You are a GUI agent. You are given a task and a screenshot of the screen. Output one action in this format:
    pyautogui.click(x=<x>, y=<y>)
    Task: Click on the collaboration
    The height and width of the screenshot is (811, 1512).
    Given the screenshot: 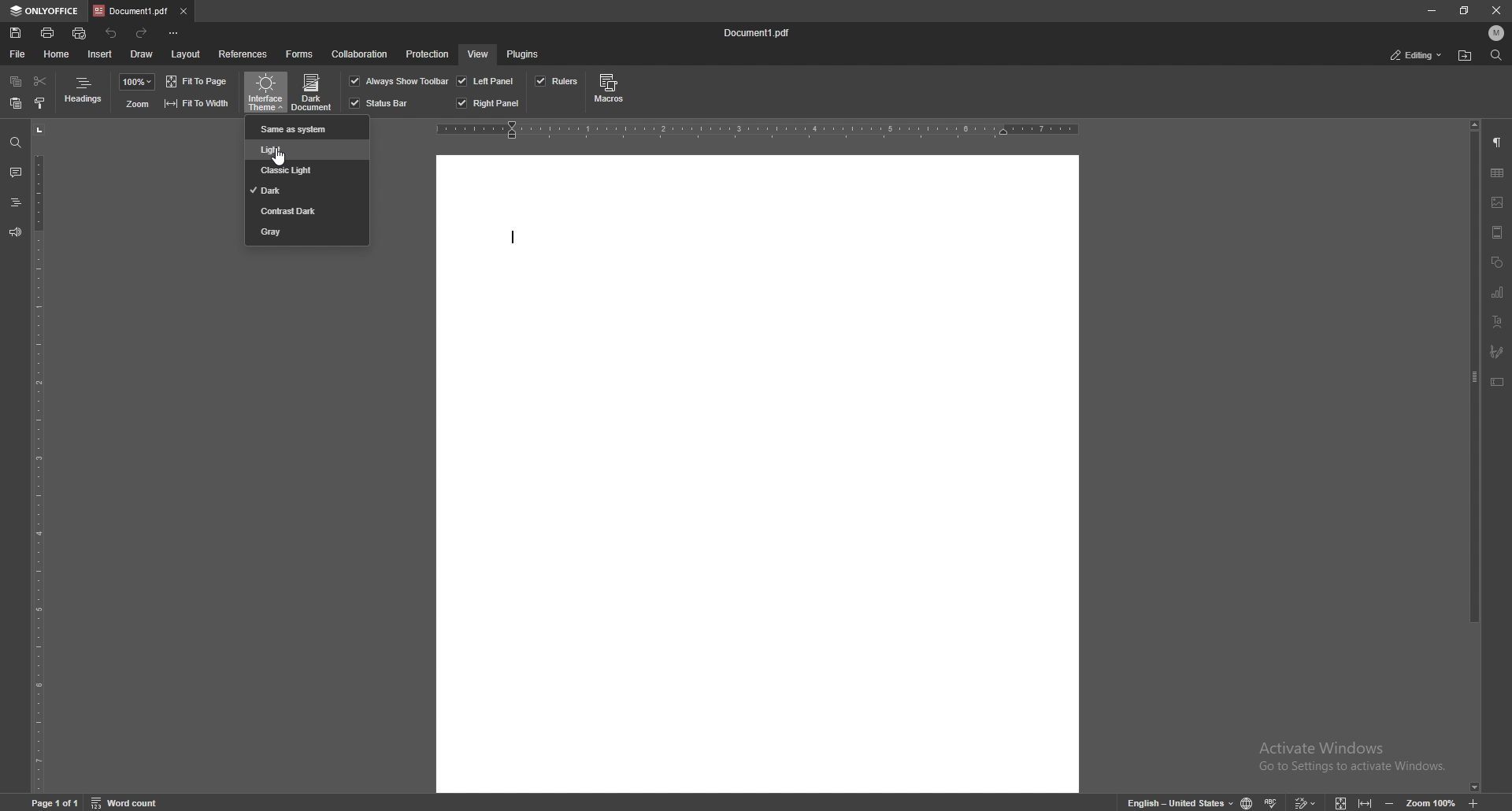 What is the action you would take?
    pyautogui.click(x=360, y=54)
    